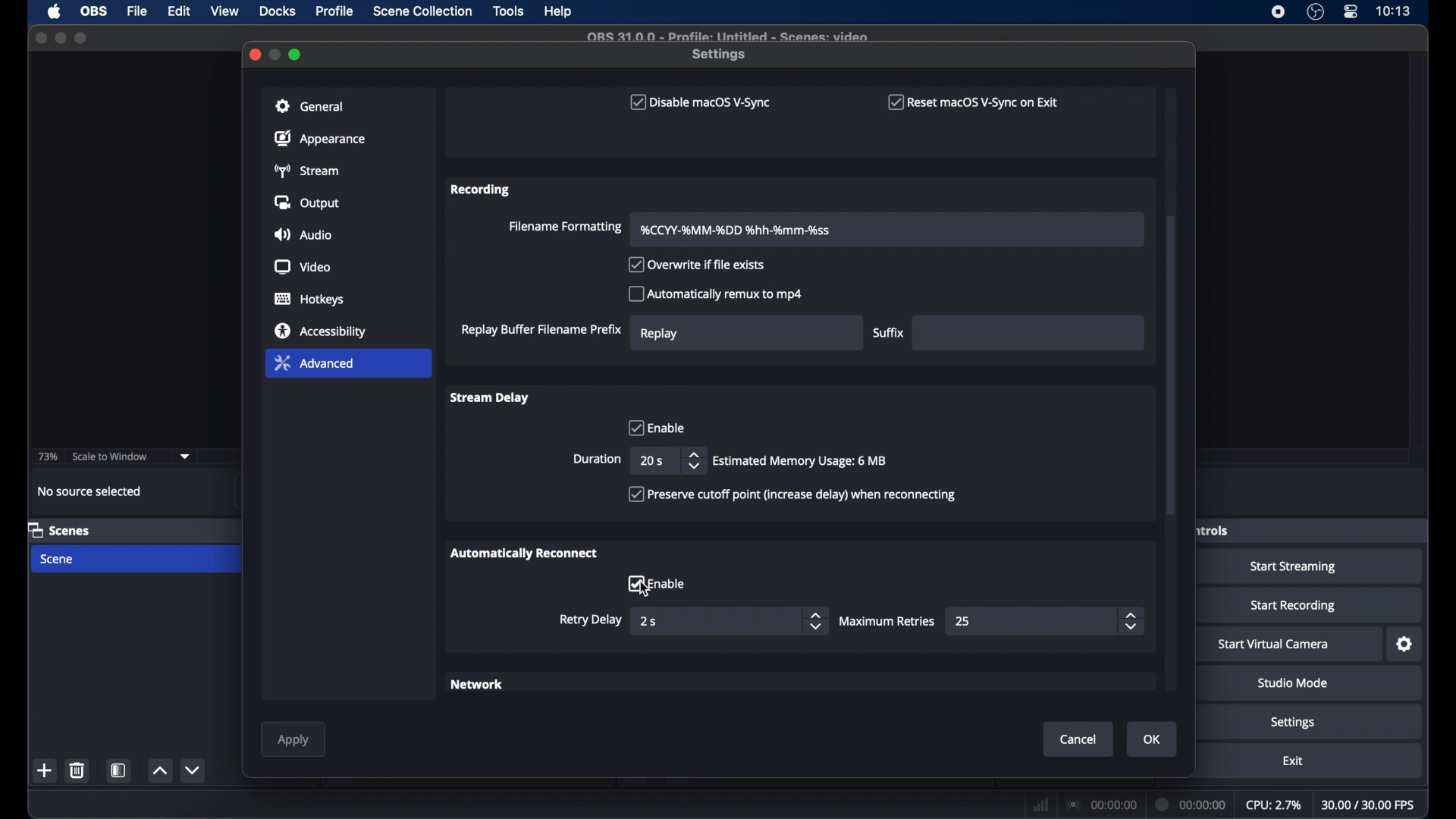 The image size is (1456, 819). I want to click on minimize, so click(276, 54).